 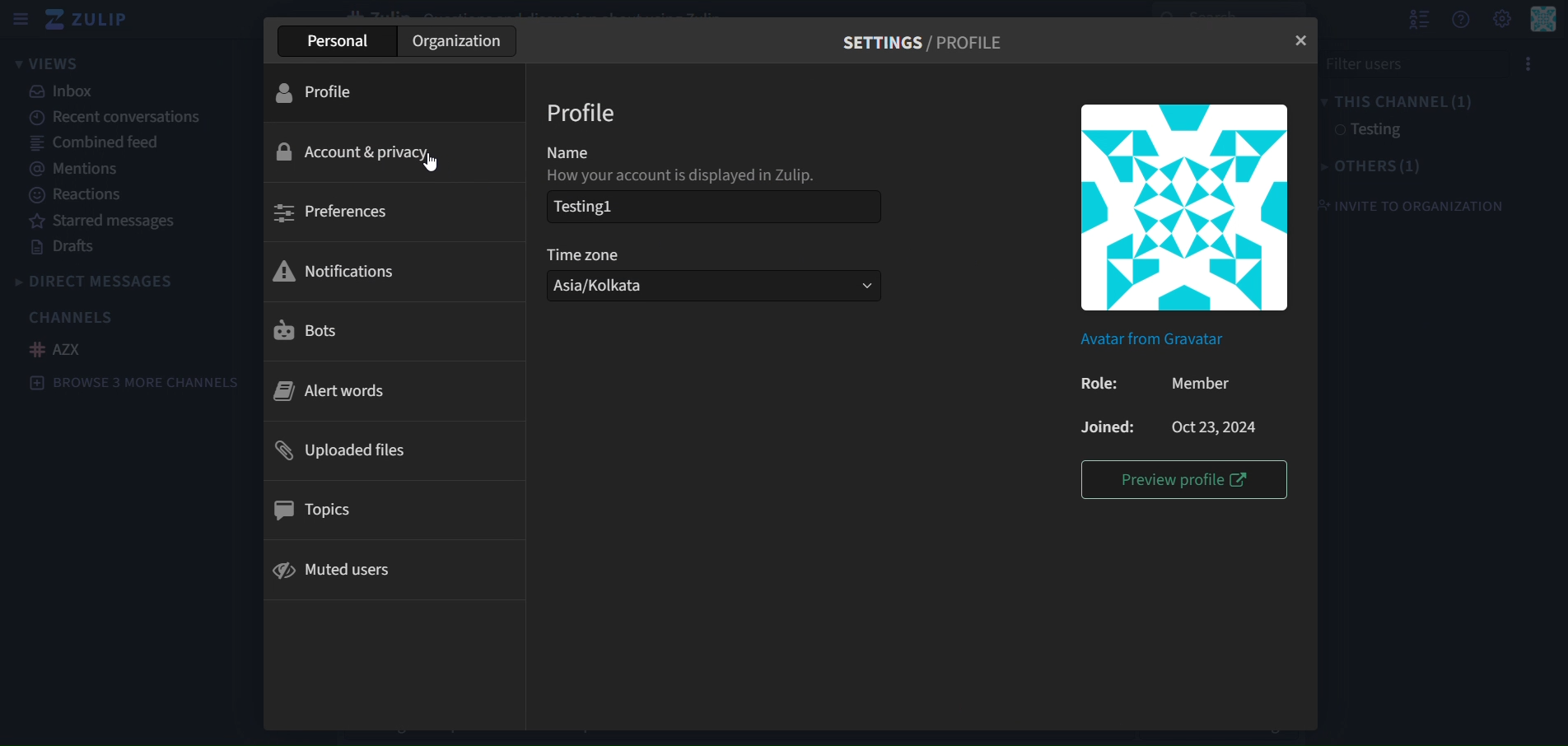 I want to click on main menu, so click(x=1501, y=19).